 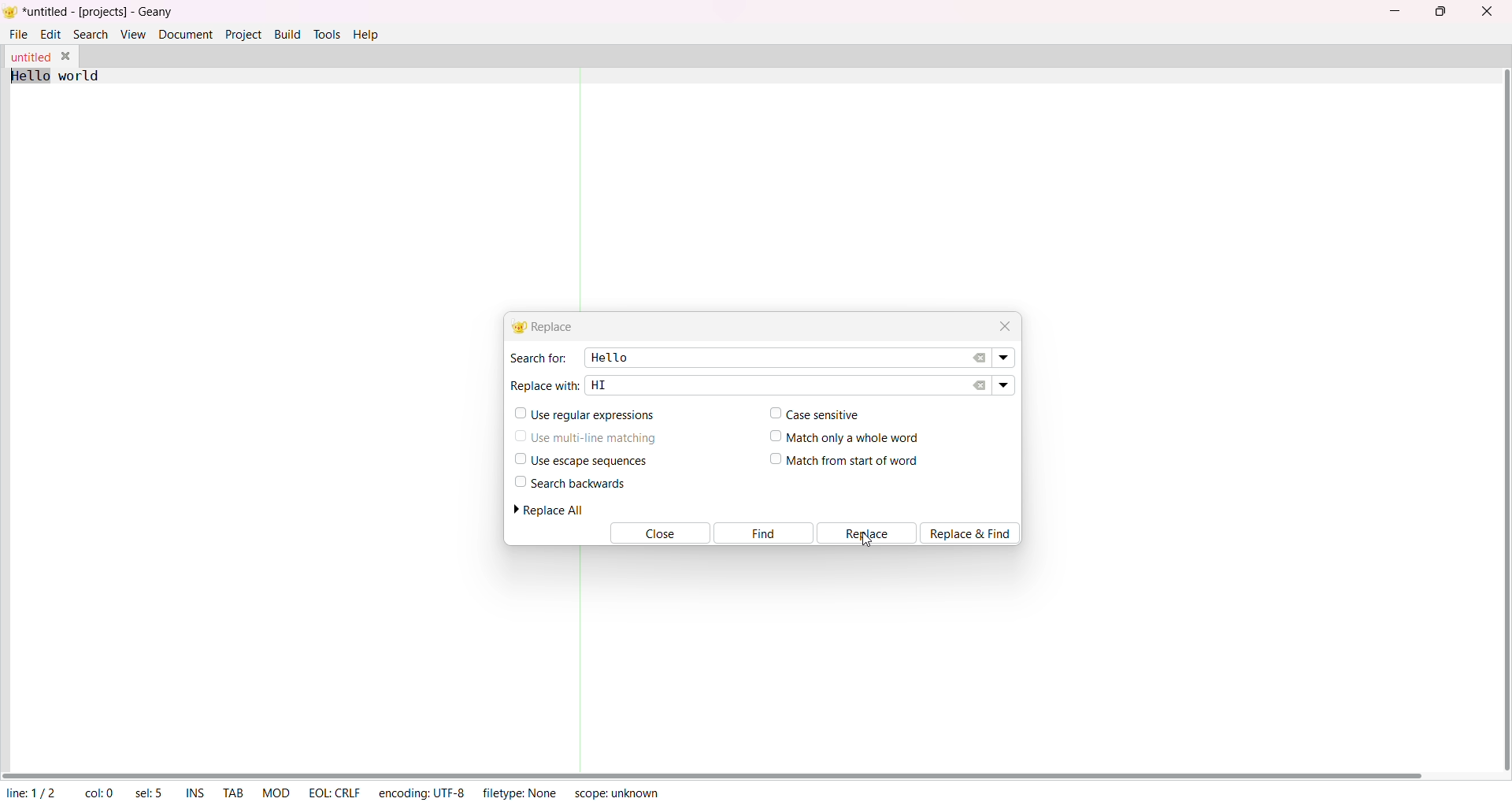 What do you see at coordinates (811, 413) in the screenshot?
I see `case sensitive` at bounding box center [811, 413].